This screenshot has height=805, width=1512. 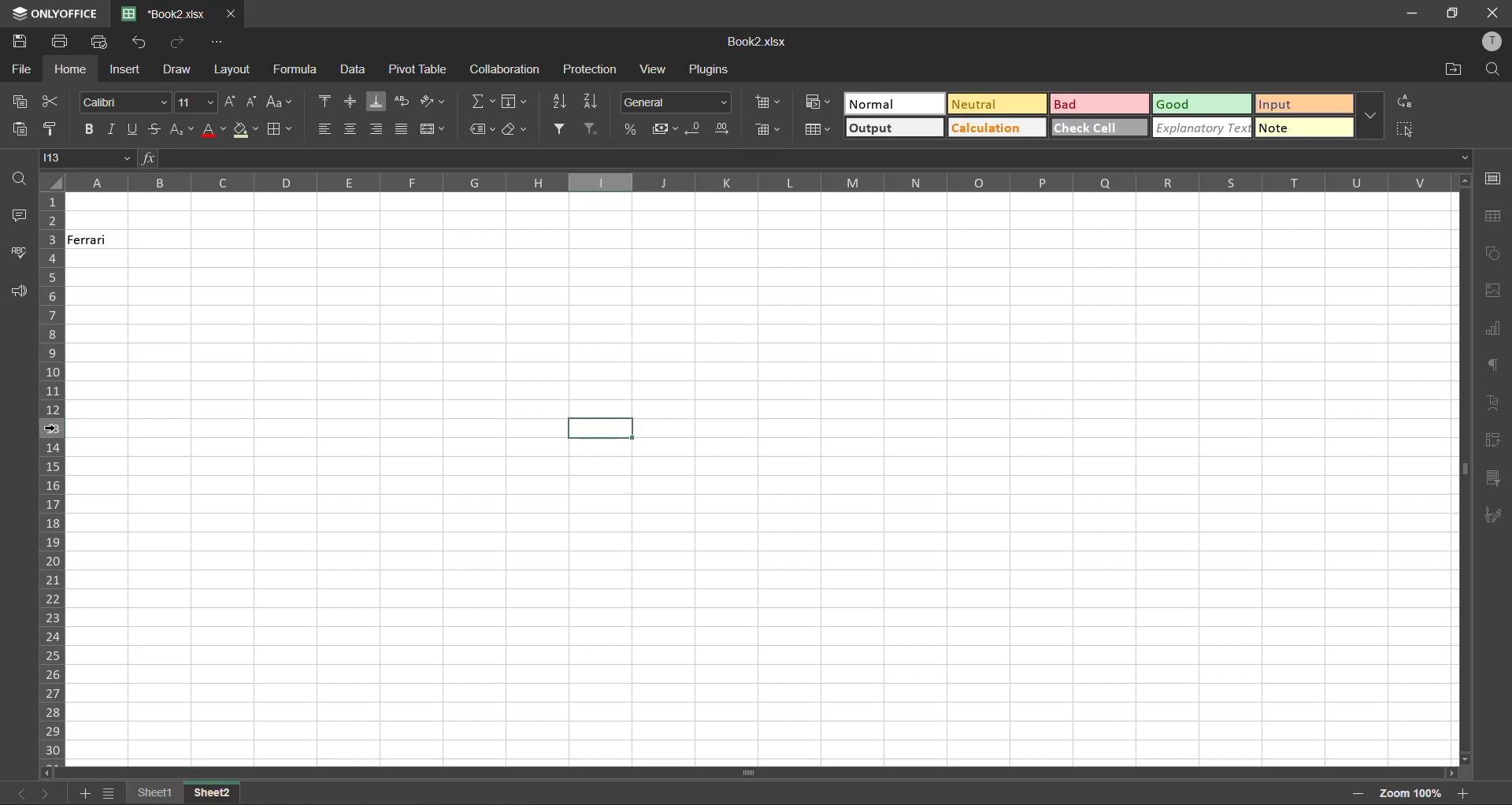 What do you see at coordinates (522, 132) in the screenshot?
I see `clear` at bounding box center [522, 132].